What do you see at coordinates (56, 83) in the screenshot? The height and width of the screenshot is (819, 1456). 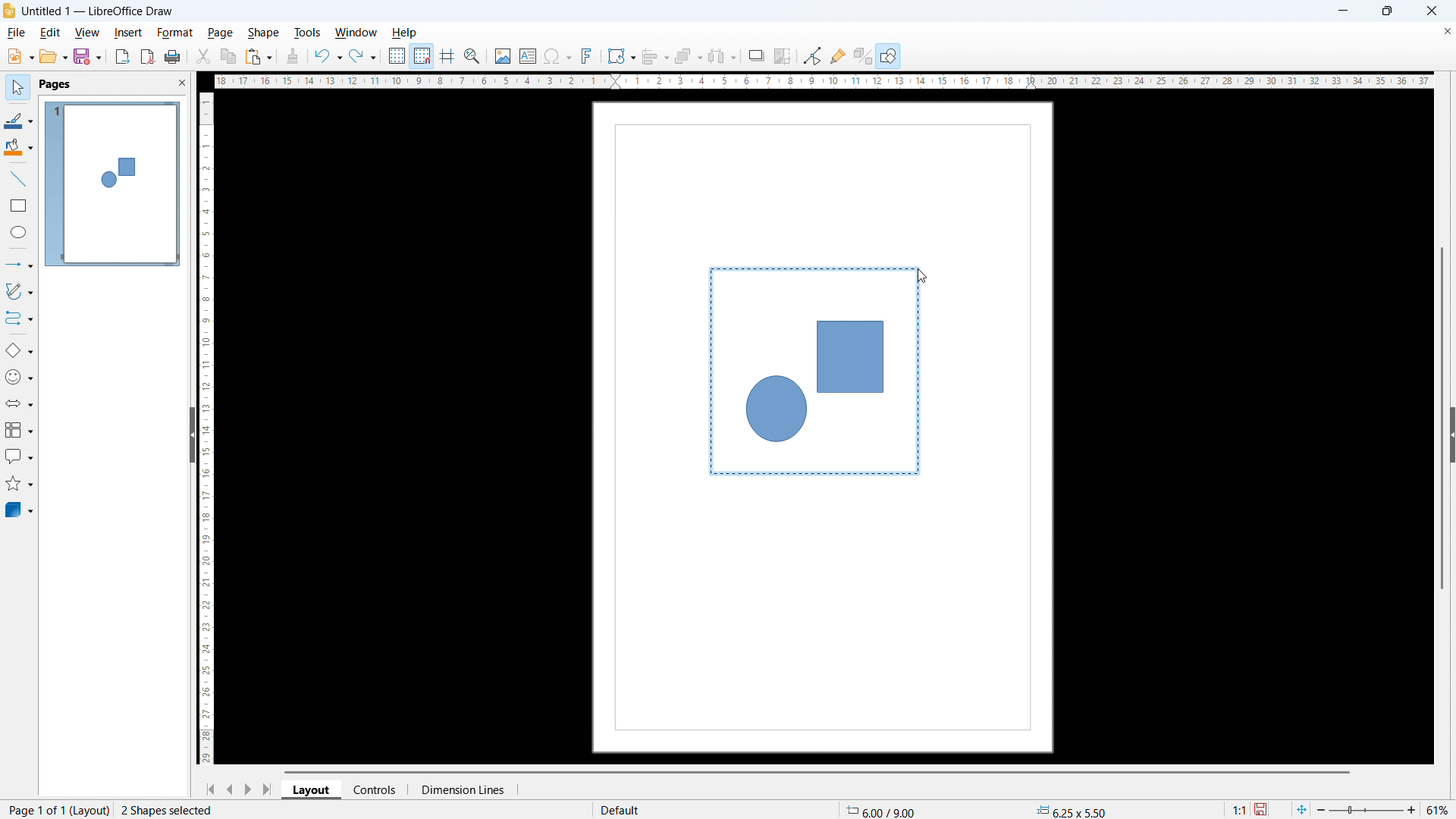 I see `pages` at bounding box center [56, 83].